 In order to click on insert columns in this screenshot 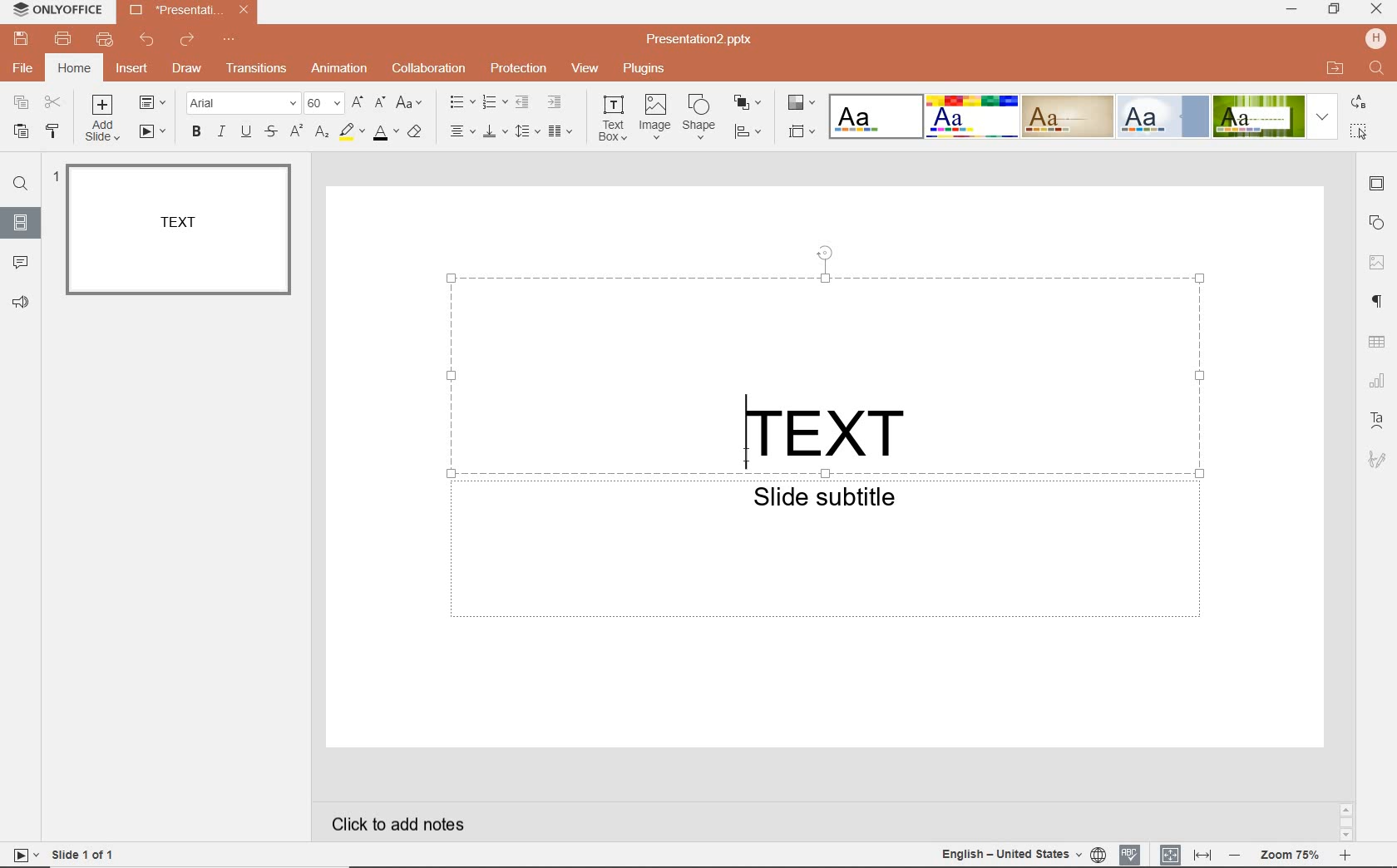, I will do `click(562, 131)`.